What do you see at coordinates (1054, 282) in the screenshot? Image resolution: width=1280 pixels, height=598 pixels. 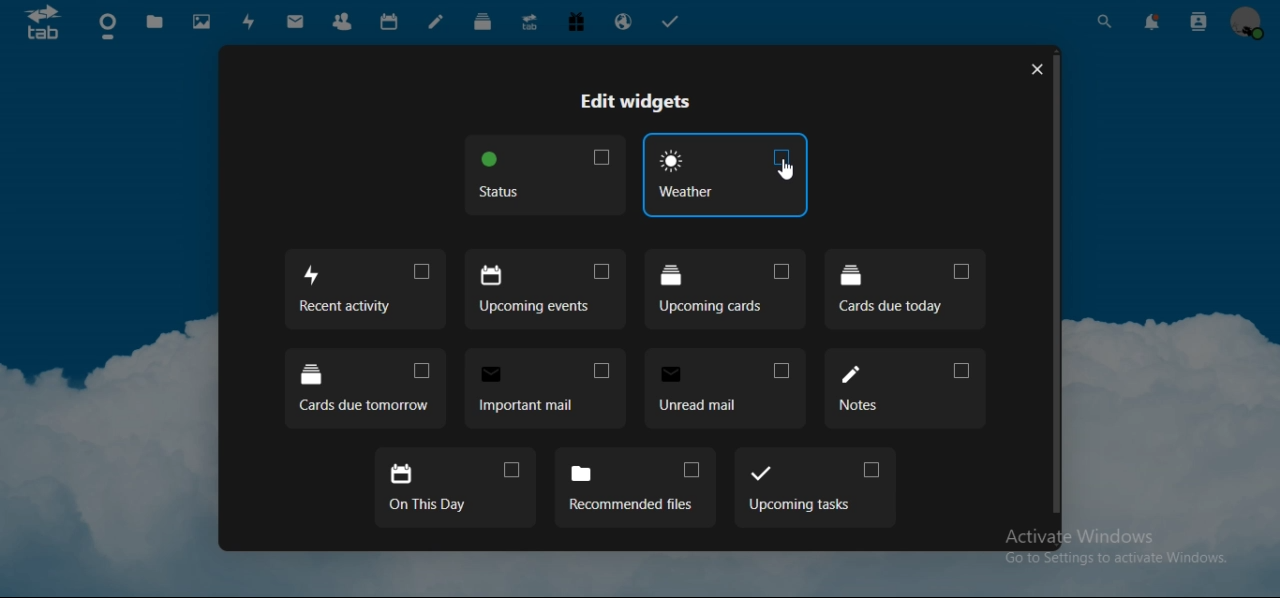 I see `scrollbar` at bounding box center [1054, 282].